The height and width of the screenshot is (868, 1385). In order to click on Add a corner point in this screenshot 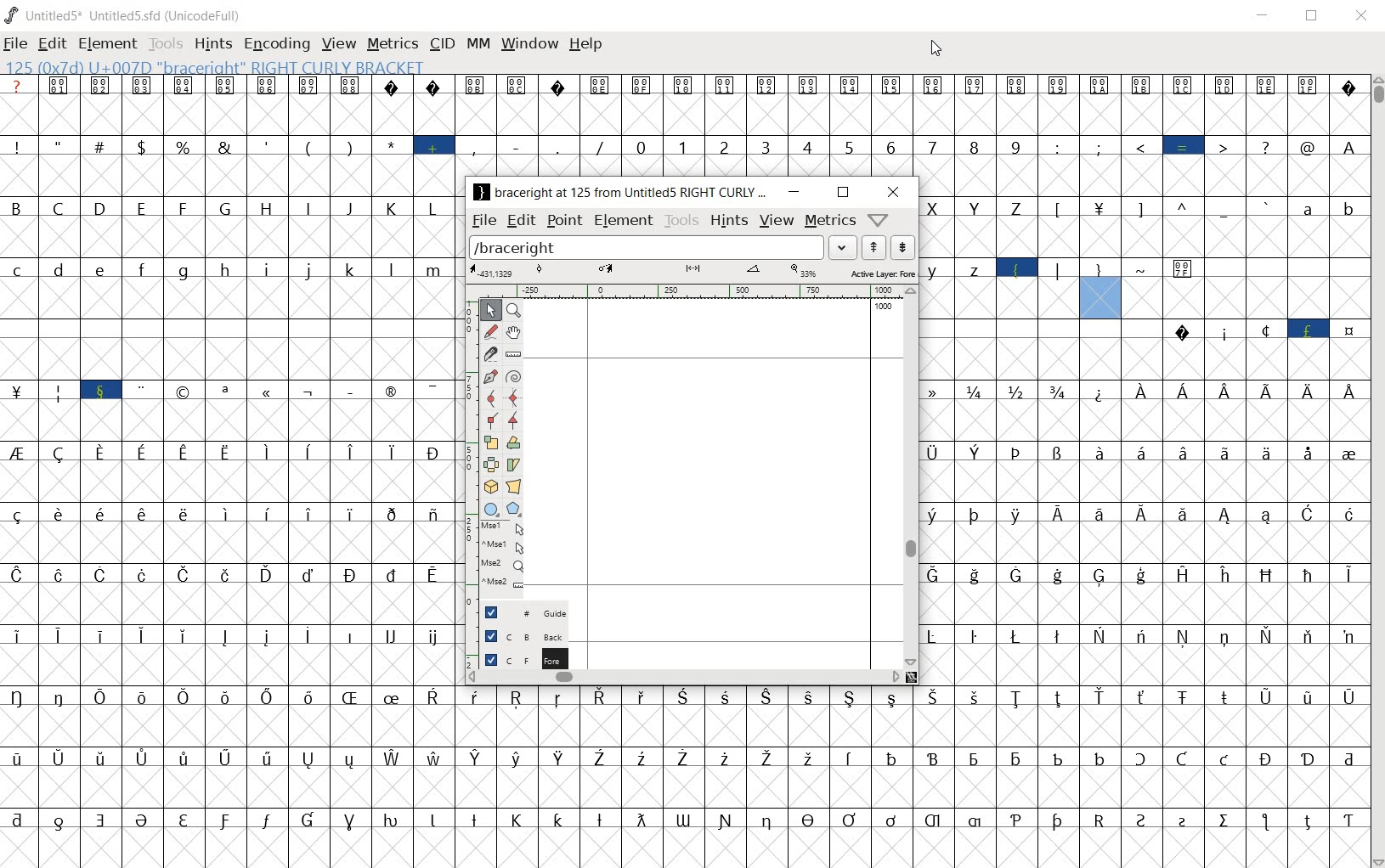, I will do `click(491, 420)`.